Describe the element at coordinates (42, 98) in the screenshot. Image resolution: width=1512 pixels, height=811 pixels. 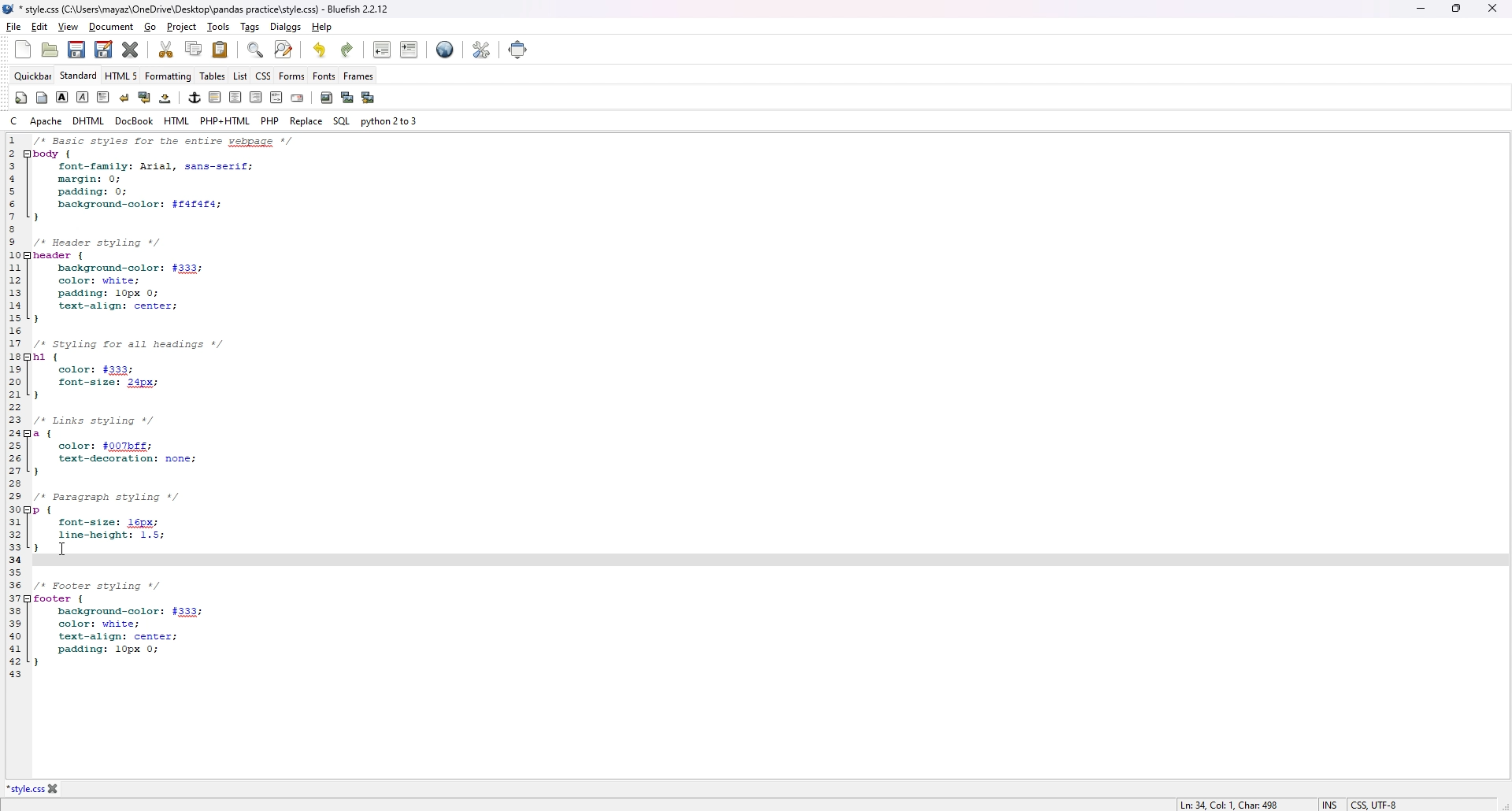
I see `body` at that location.